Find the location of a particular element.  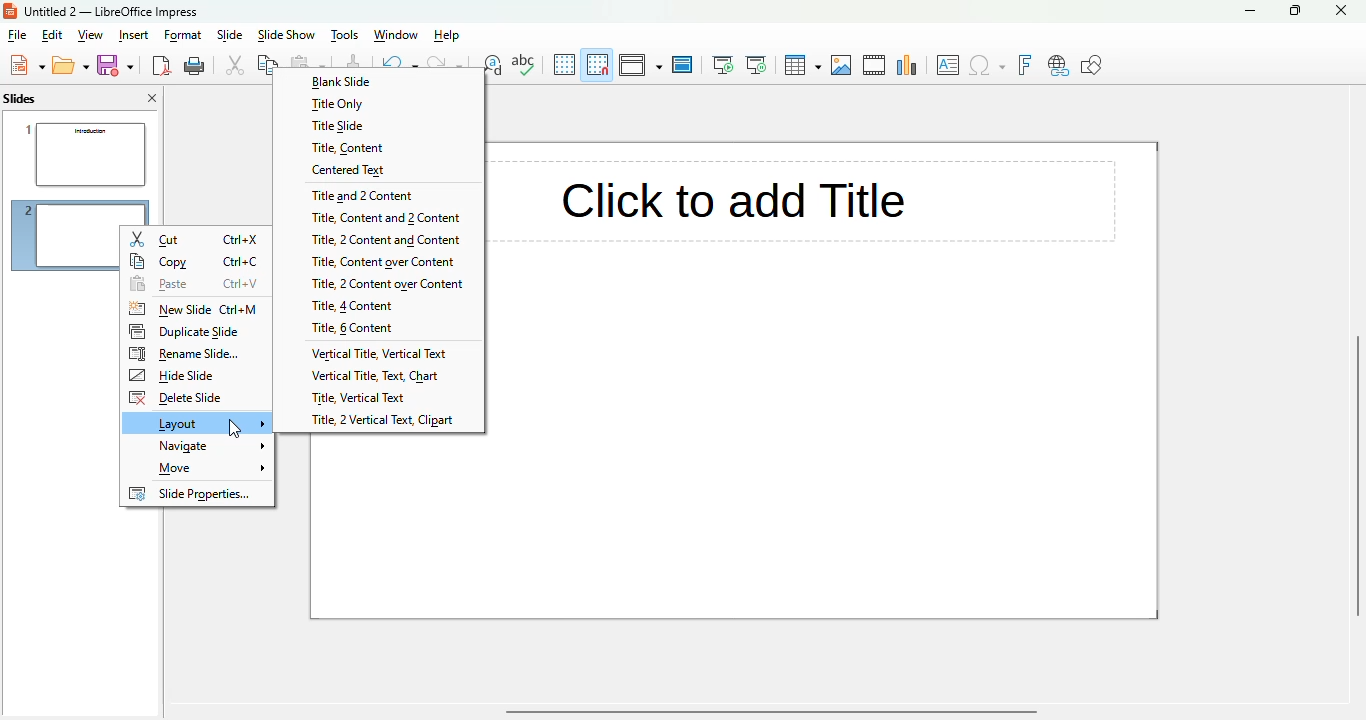

delete slide is located at coordinates (196, 398).